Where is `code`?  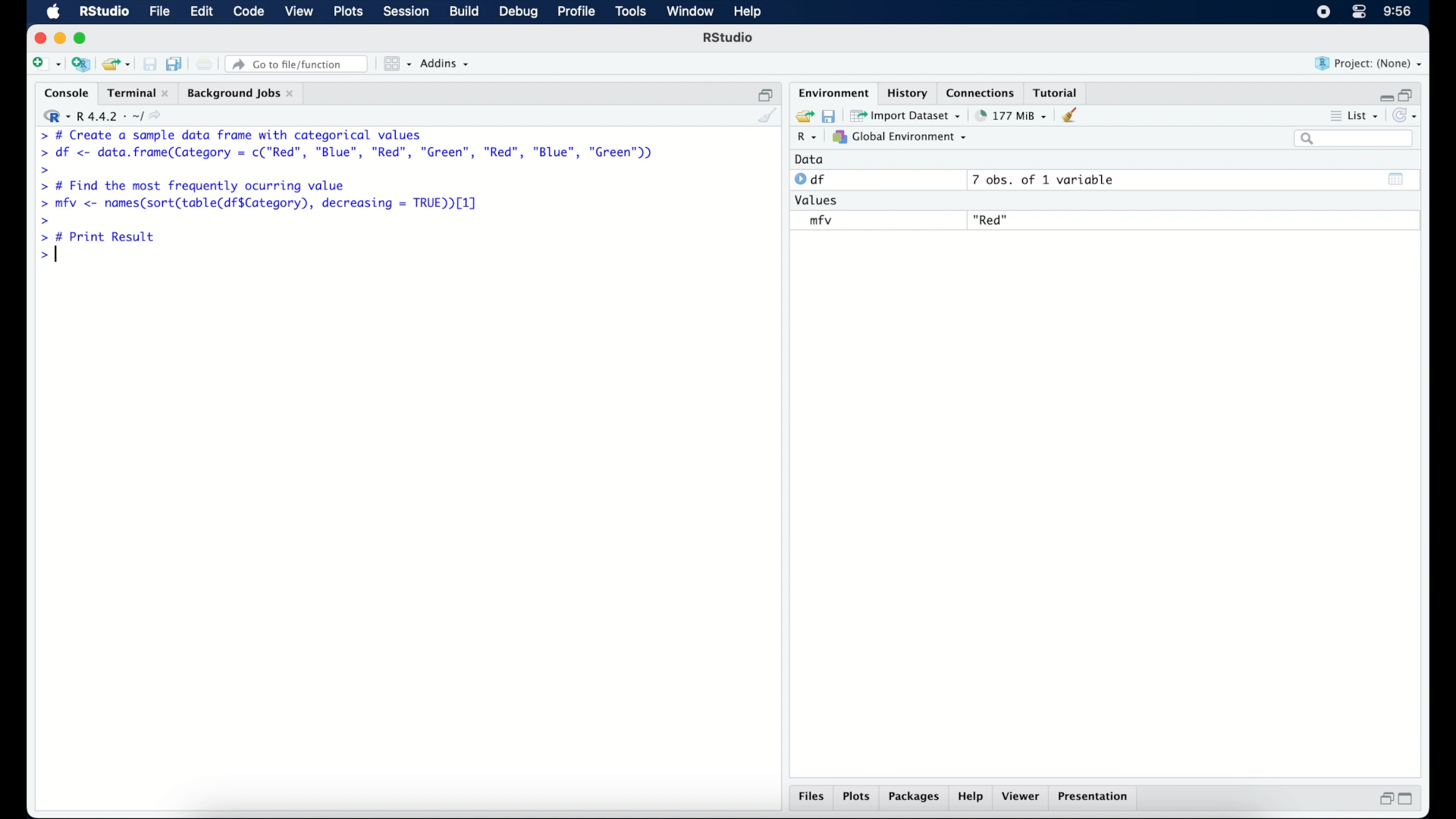 code is located at coordinates (249, 12).